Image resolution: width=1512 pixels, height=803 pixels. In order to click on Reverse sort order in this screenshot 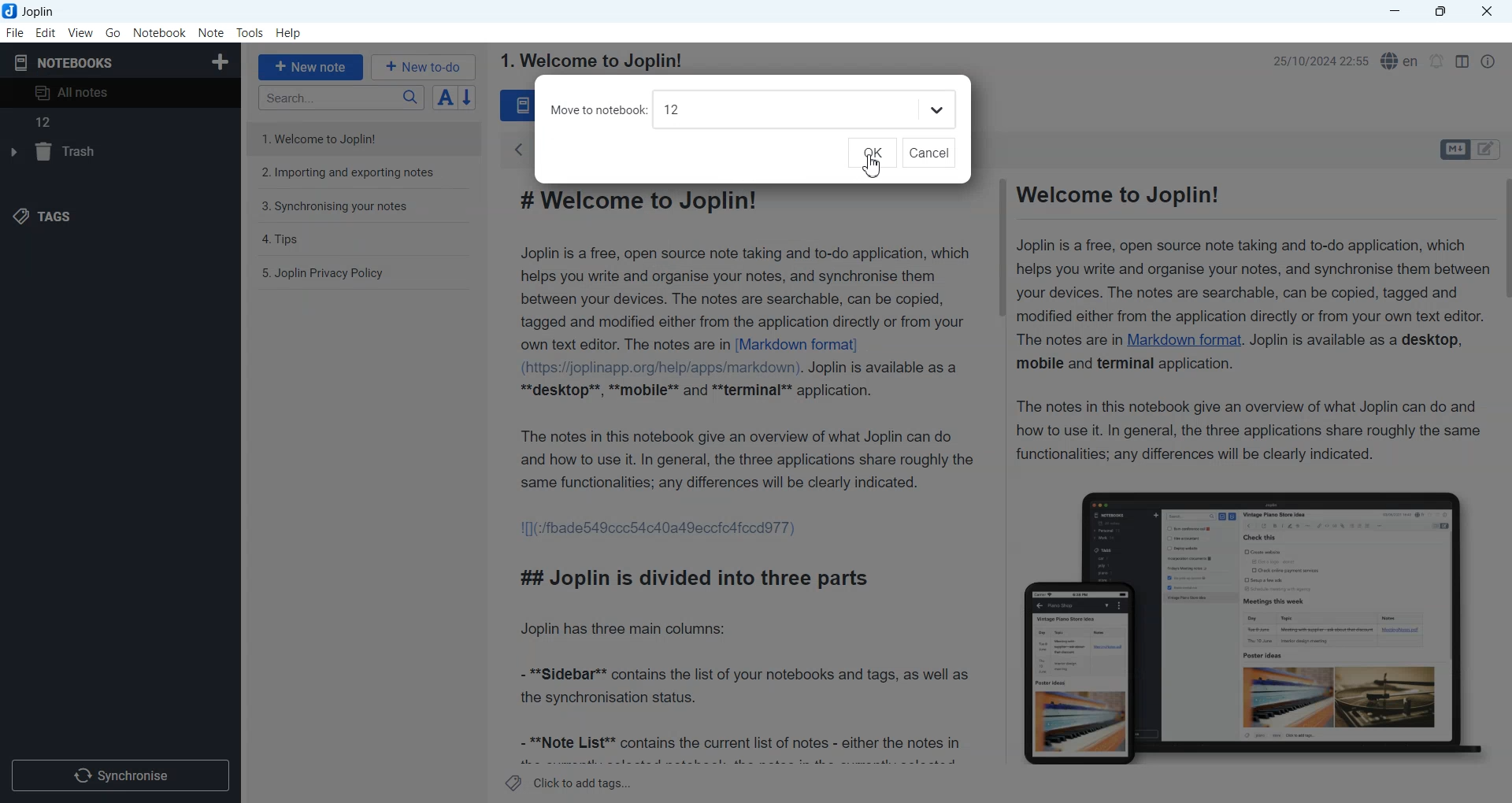, I will do `click(469, 98)`.